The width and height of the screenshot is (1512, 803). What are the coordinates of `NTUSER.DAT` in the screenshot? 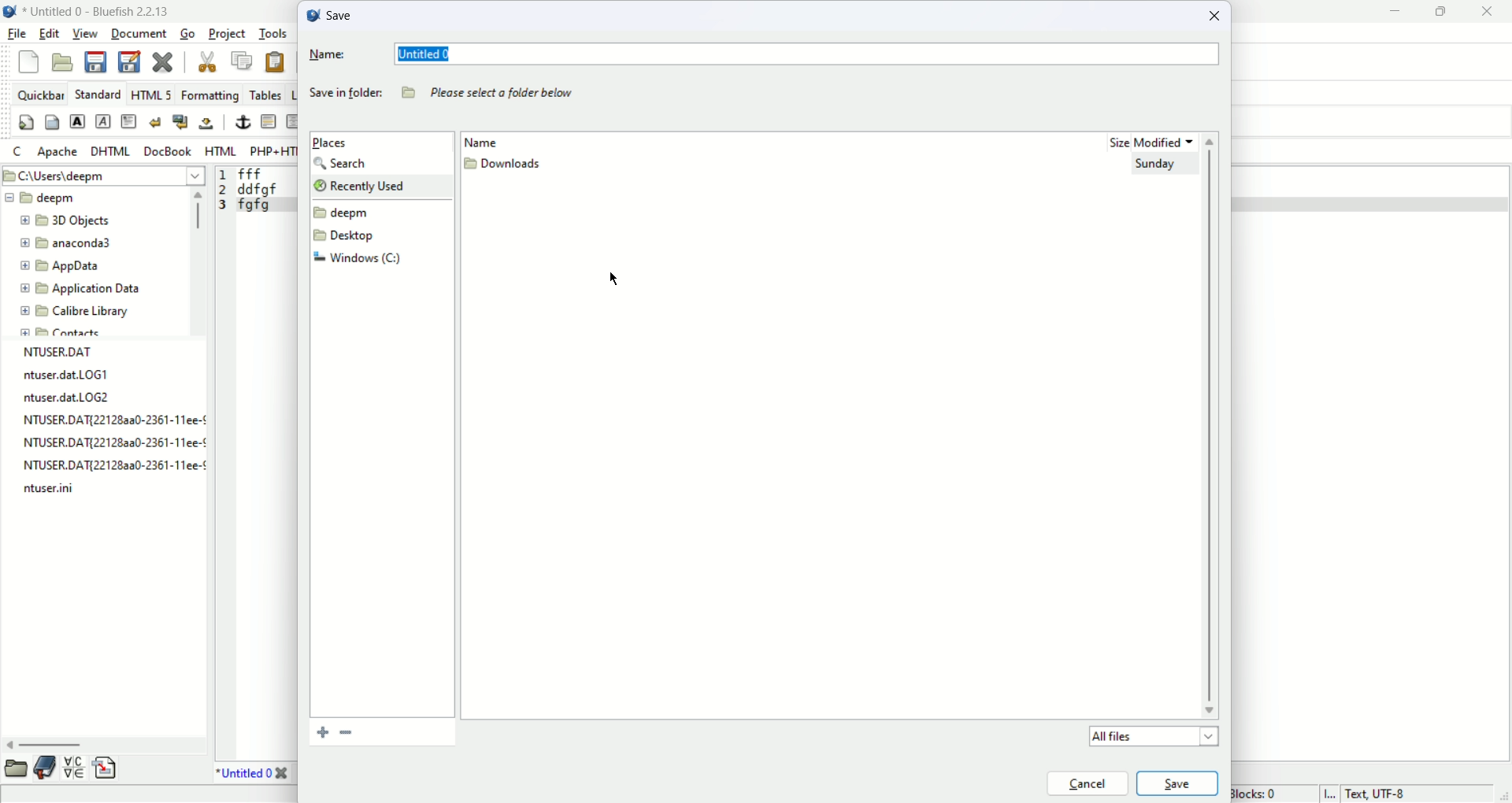 It's located at (57, 352).